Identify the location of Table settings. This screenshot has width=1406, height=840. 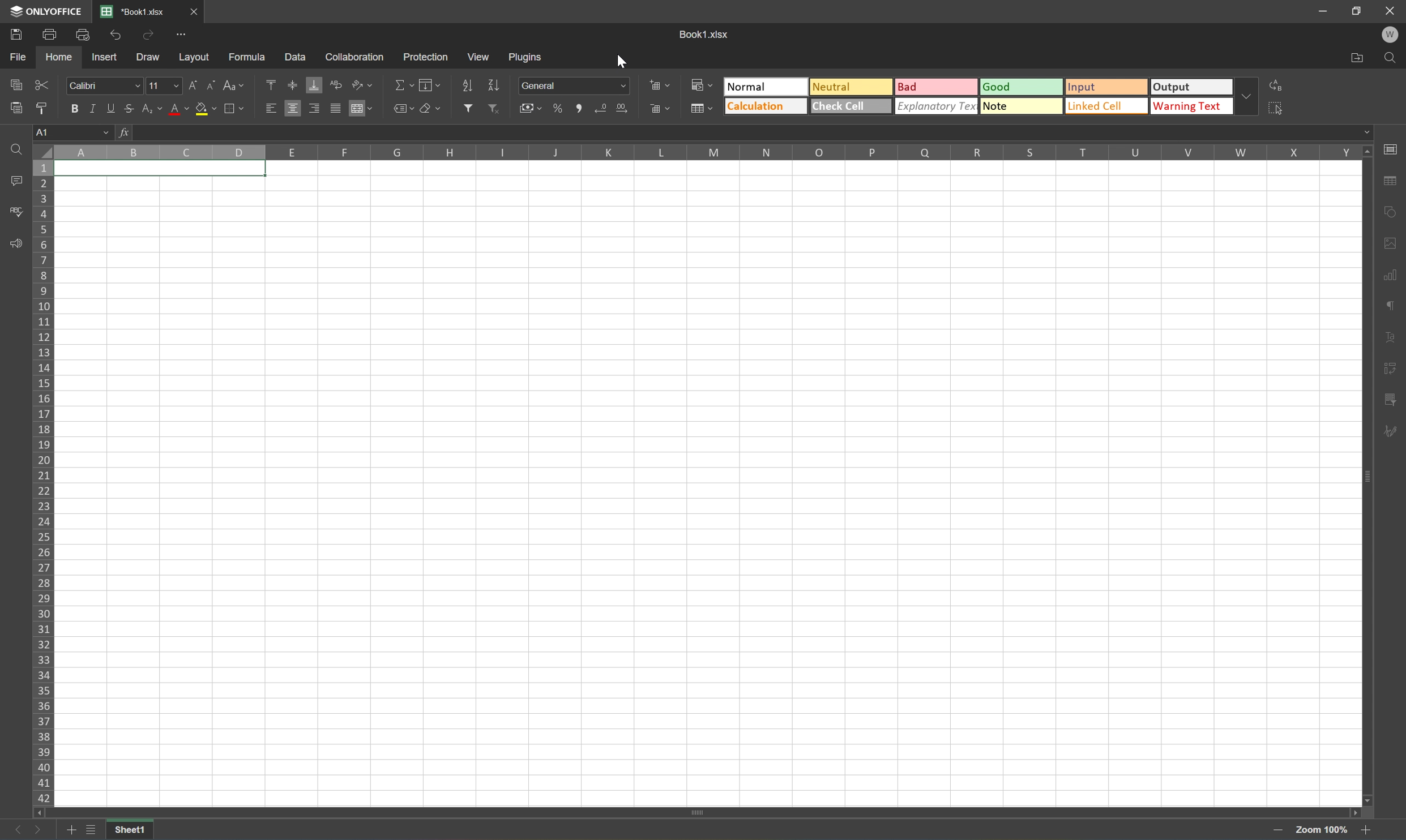
(1390, 183).